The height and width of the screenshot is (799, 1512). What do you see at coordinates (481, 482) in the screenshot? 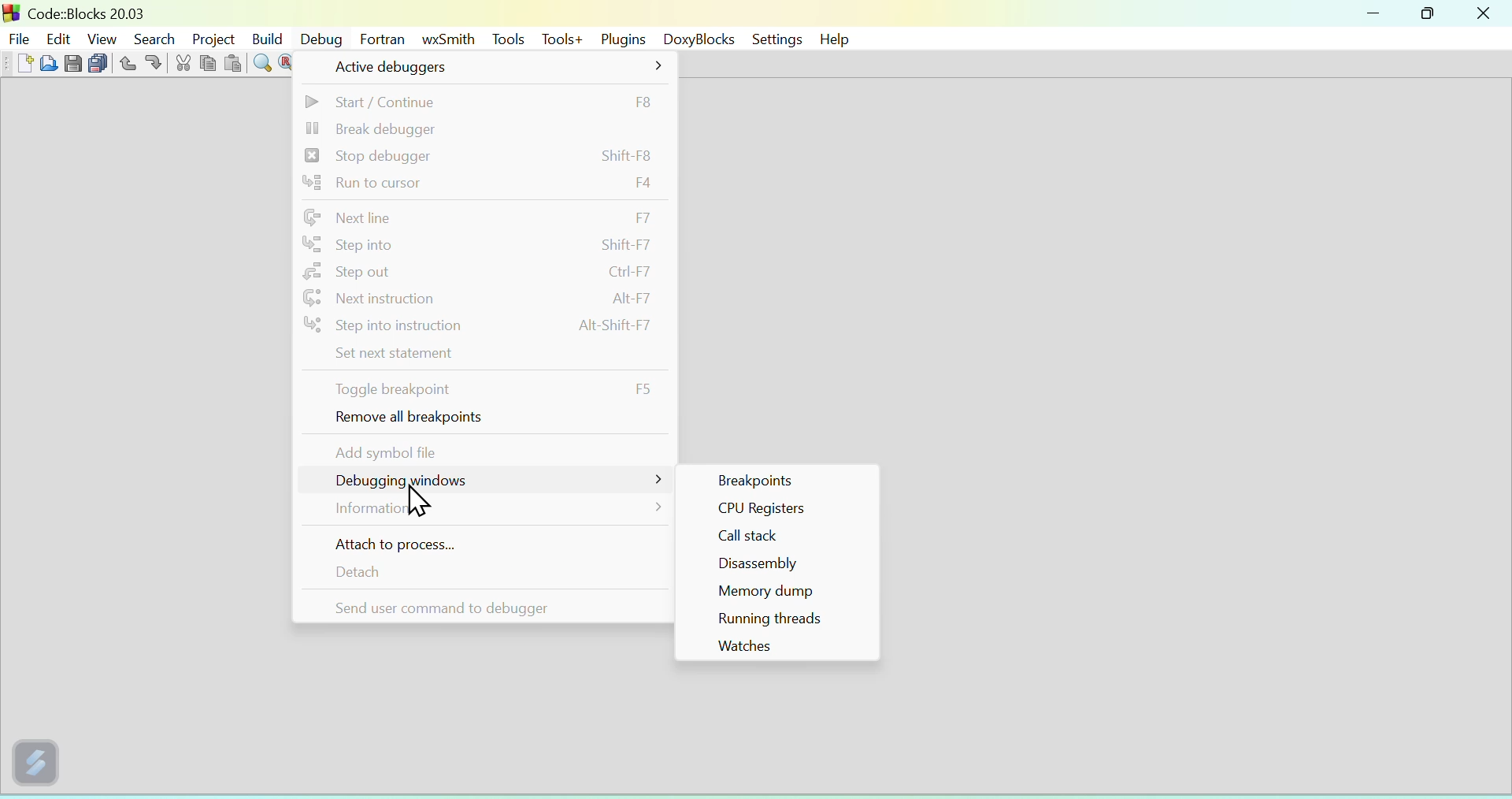
I see `debugging window` at bounding box center [481, 482].